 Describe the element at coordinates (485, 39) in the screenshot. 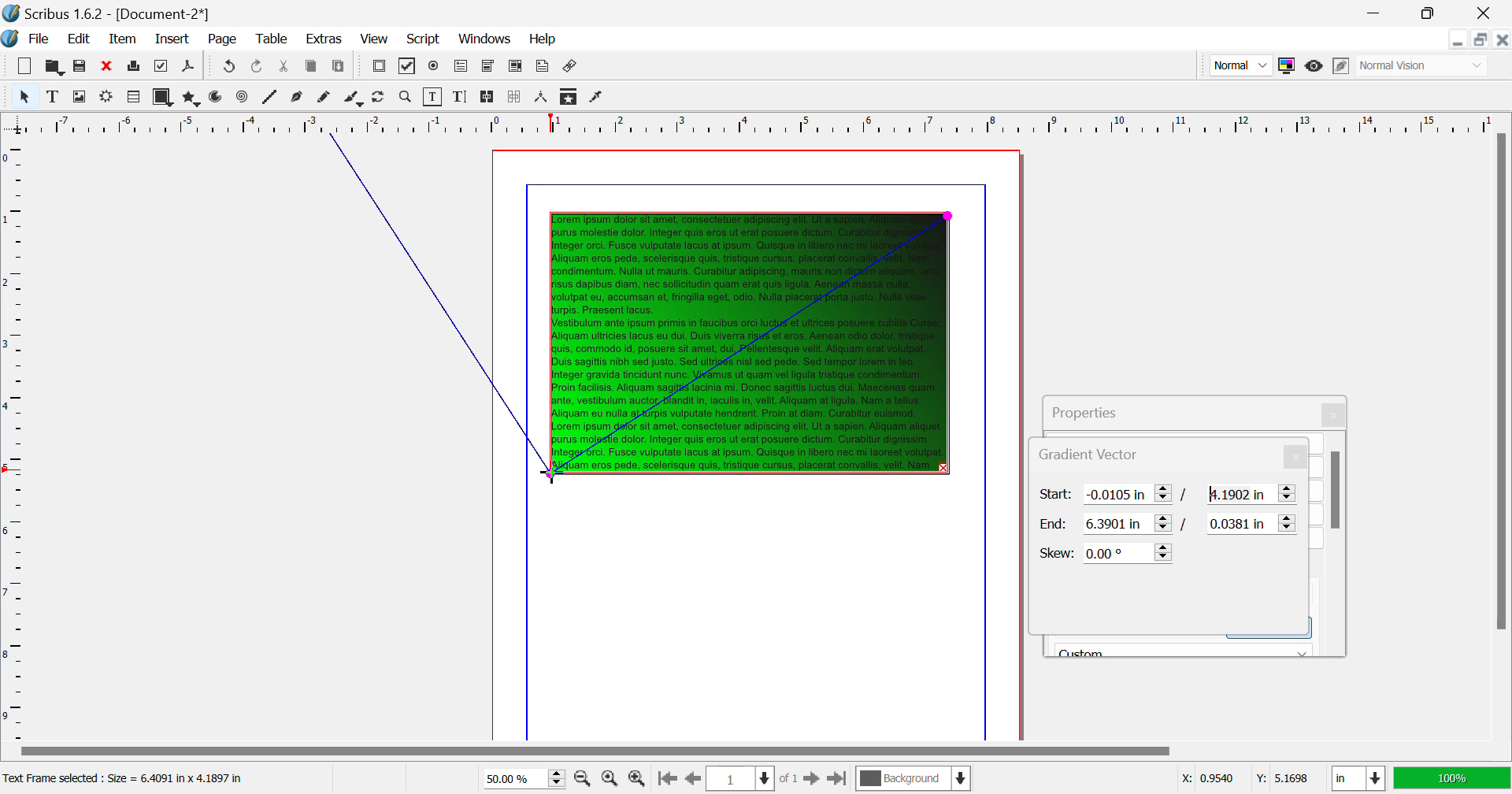

I see `Windows` at that location.